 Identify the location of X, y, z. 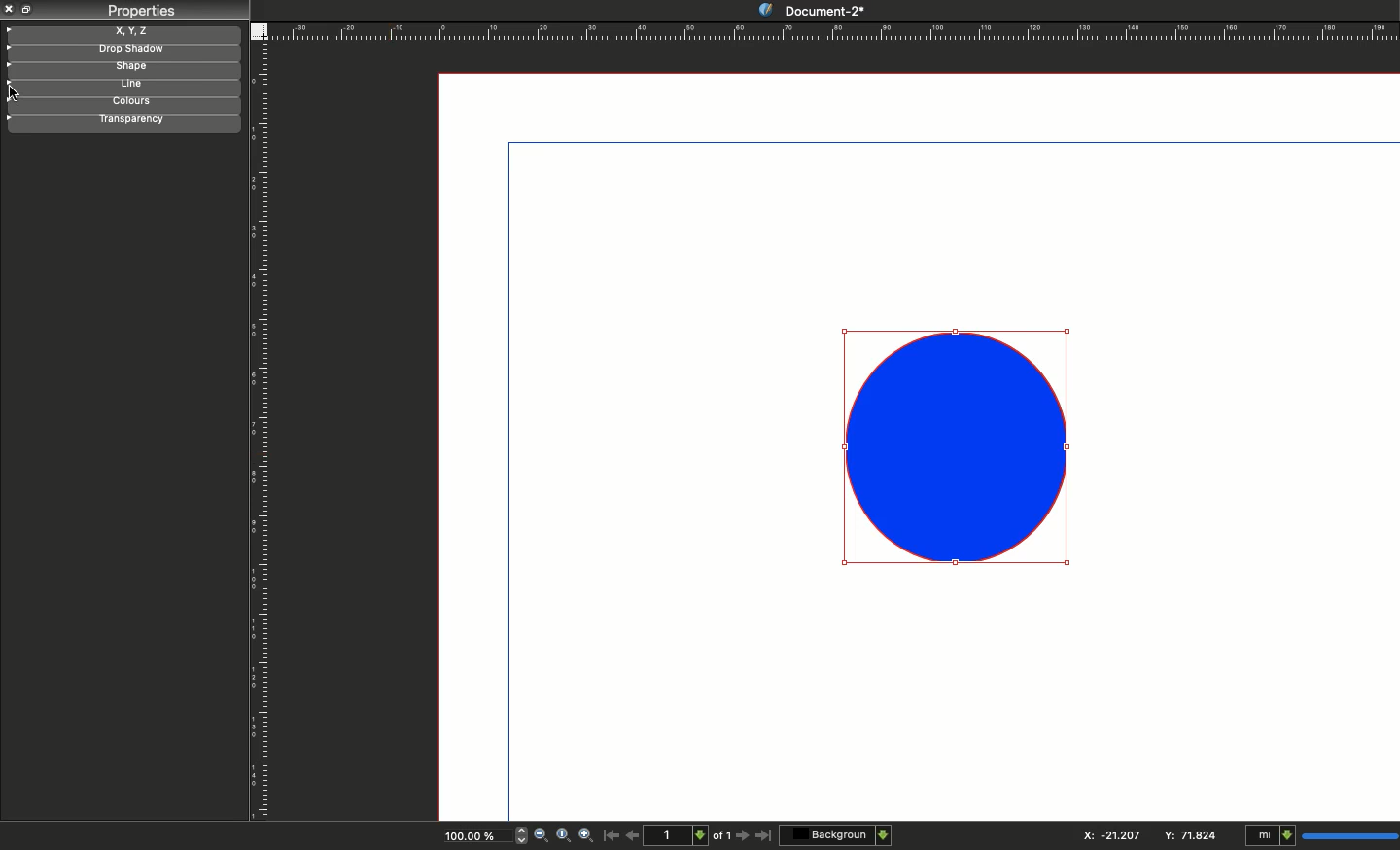
(123, 31).